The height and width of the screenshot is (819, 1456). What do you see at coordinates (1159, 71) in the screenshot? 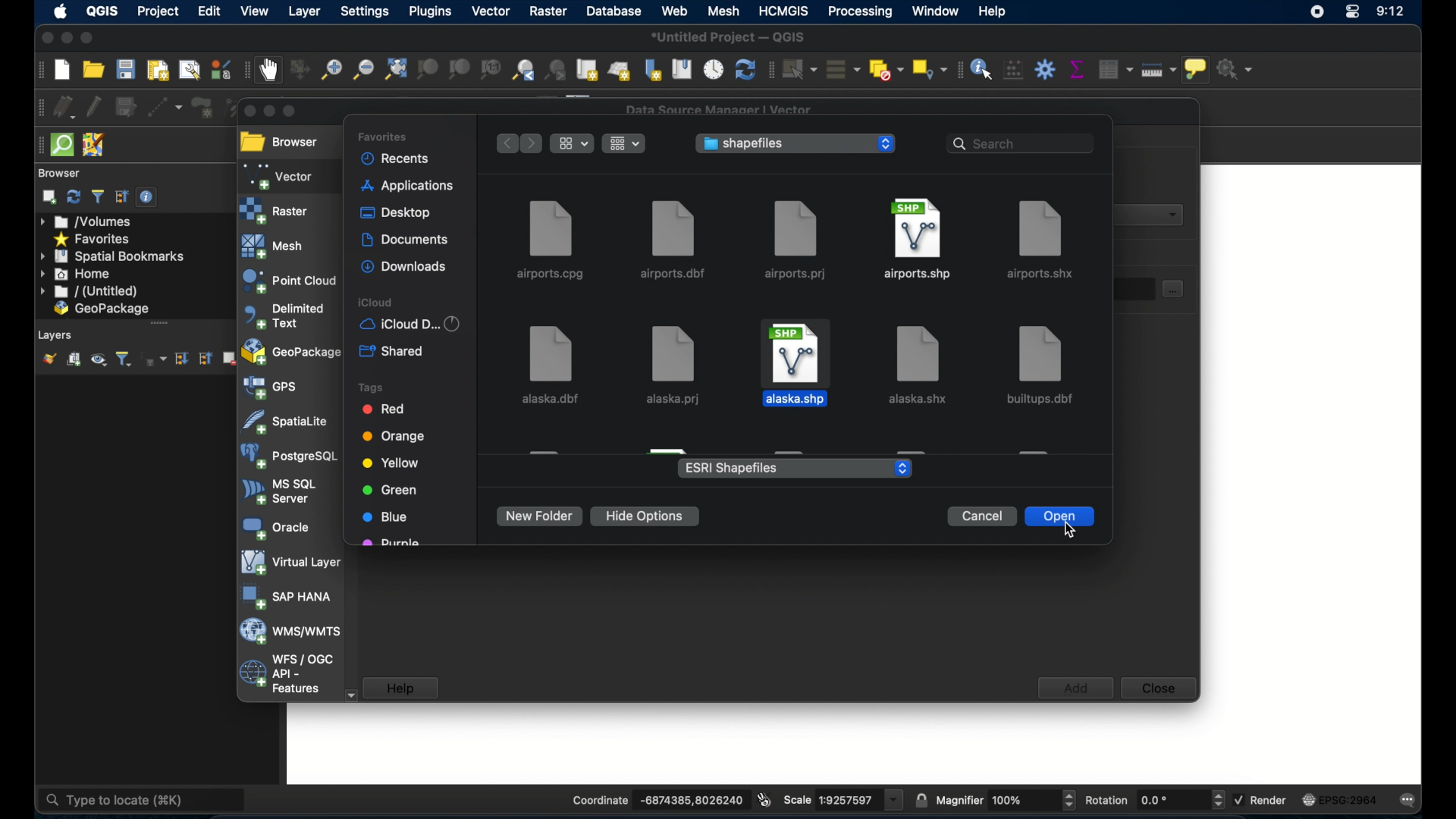
I see `measure line` at bounding box center [1159, 71].